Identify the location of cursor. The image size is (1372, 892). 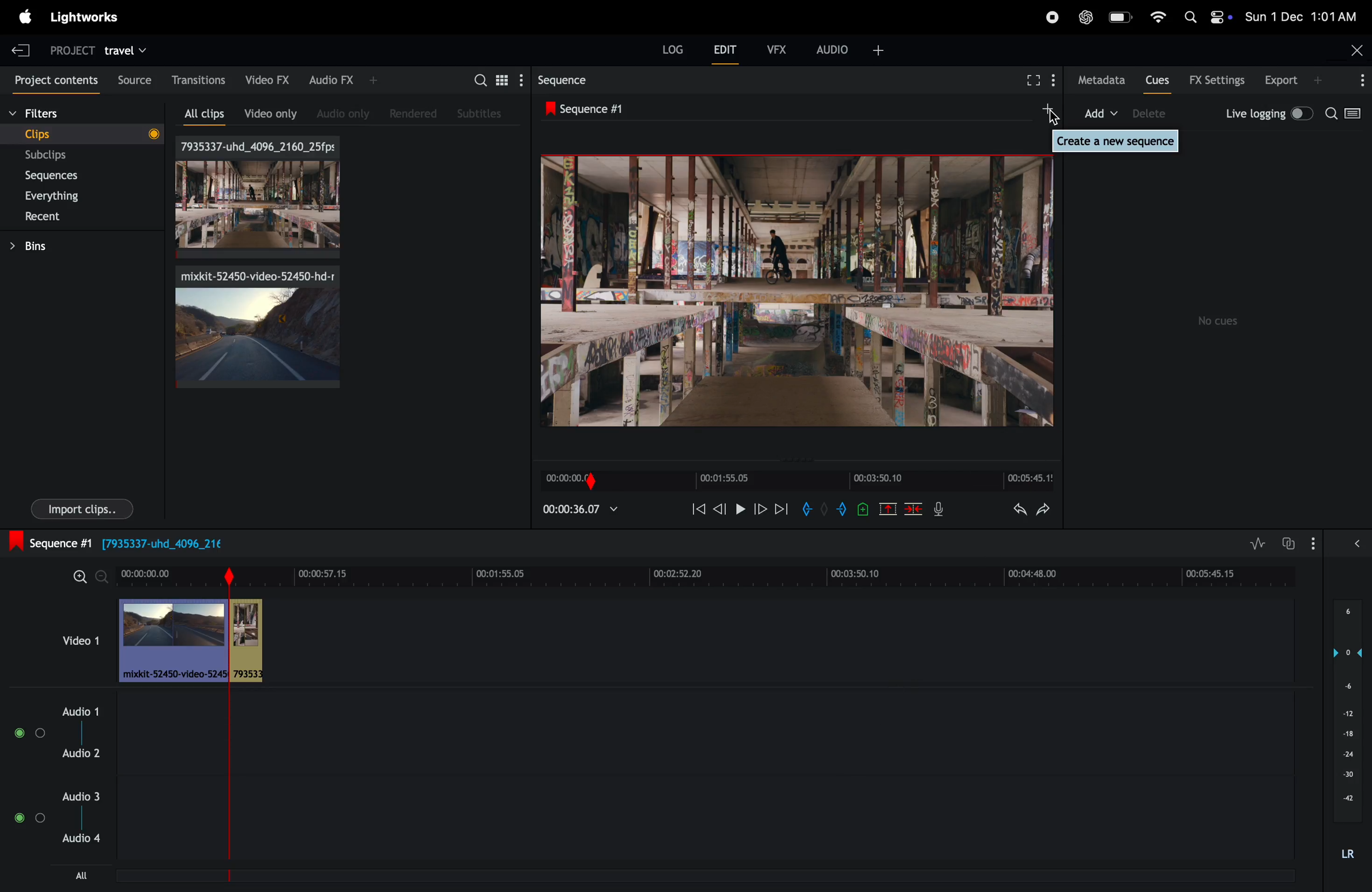
(1052, 115).